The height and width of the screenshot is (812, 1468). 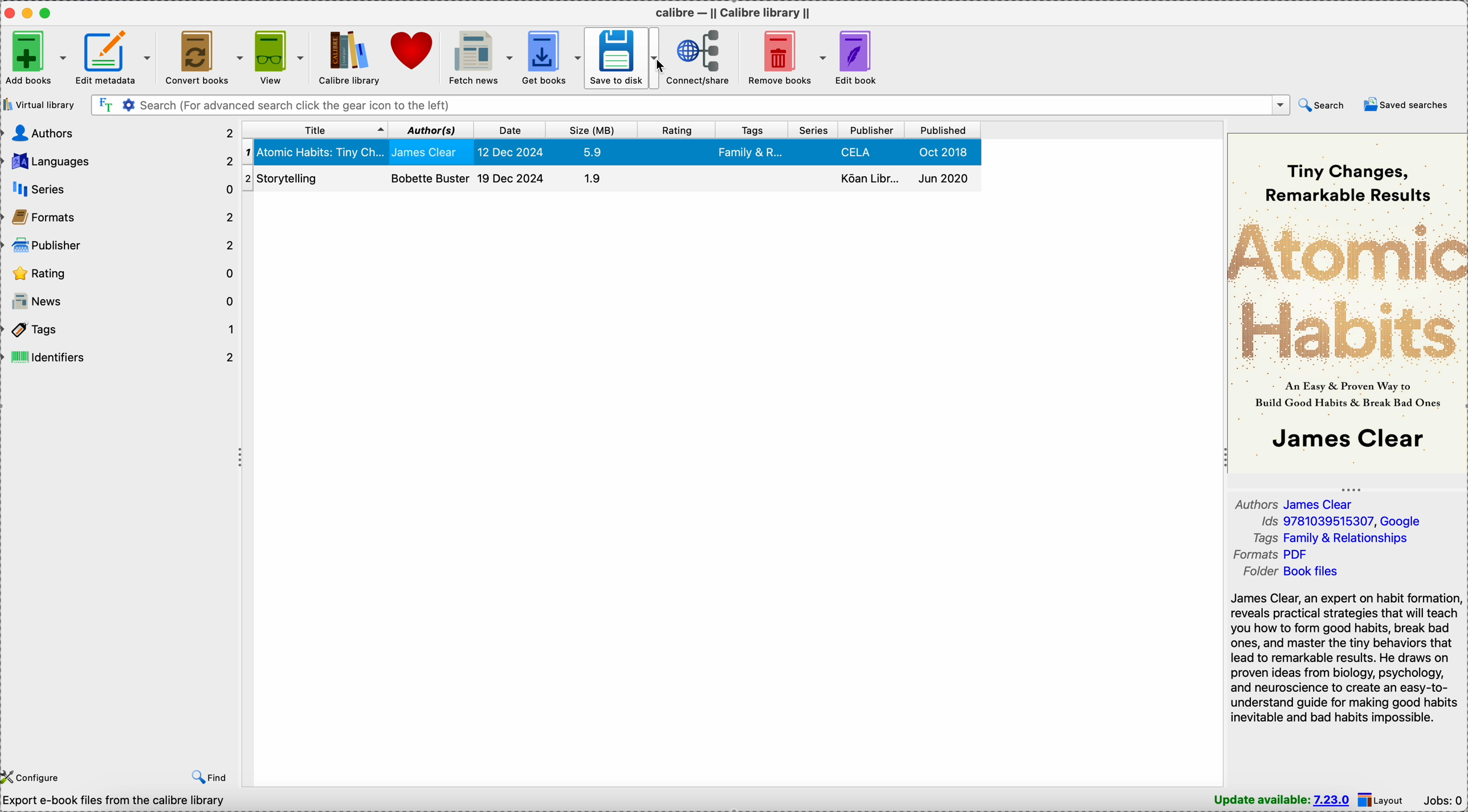 I want to click on close Calibre, so click(x=9, y=12).